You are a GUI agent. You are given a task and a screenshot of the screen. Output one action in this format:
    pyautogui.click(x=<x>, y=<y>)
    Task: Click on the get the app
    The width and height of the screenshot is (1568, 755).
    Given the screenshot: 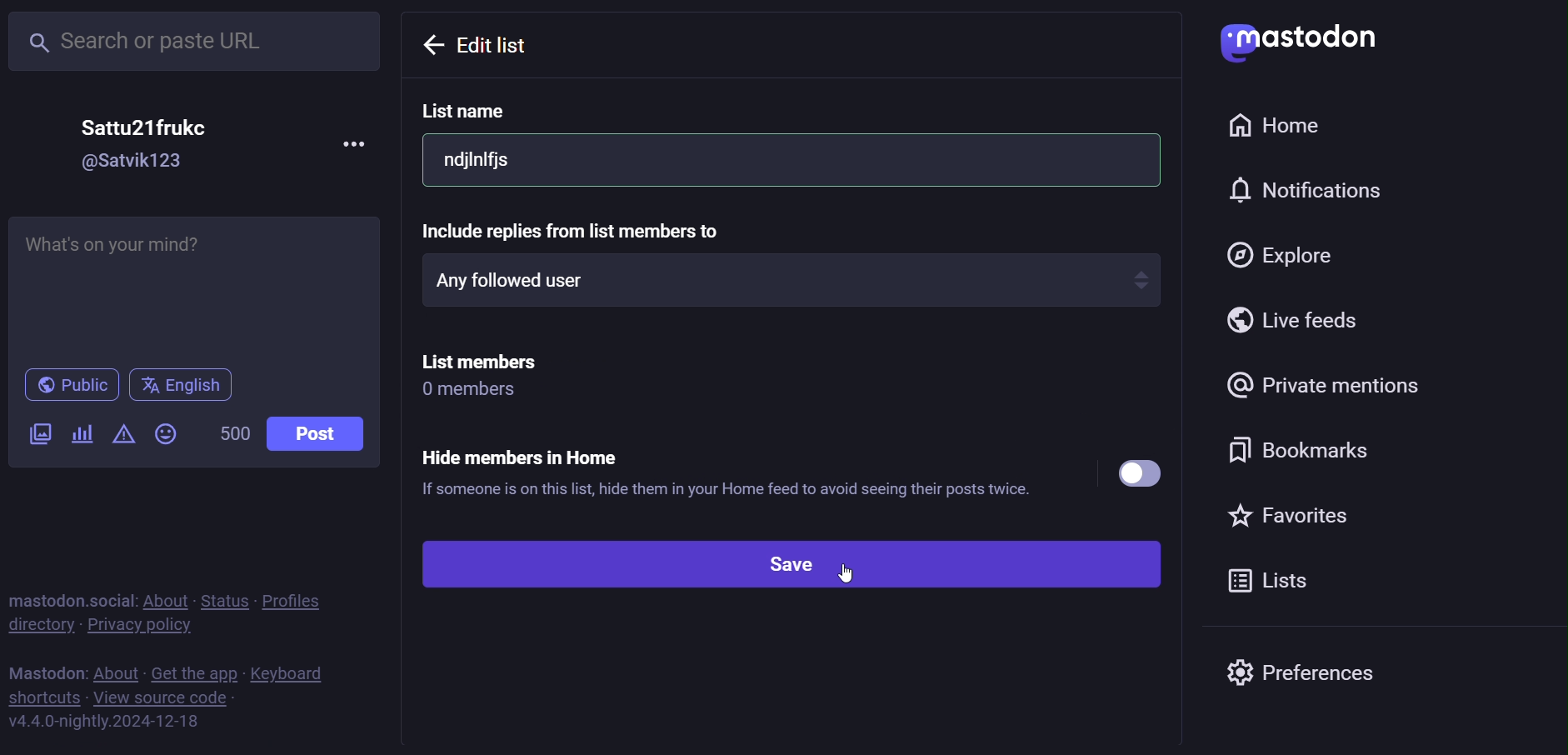 What is the action you would take?
    pyautogui.click(x=196, y=672)
    